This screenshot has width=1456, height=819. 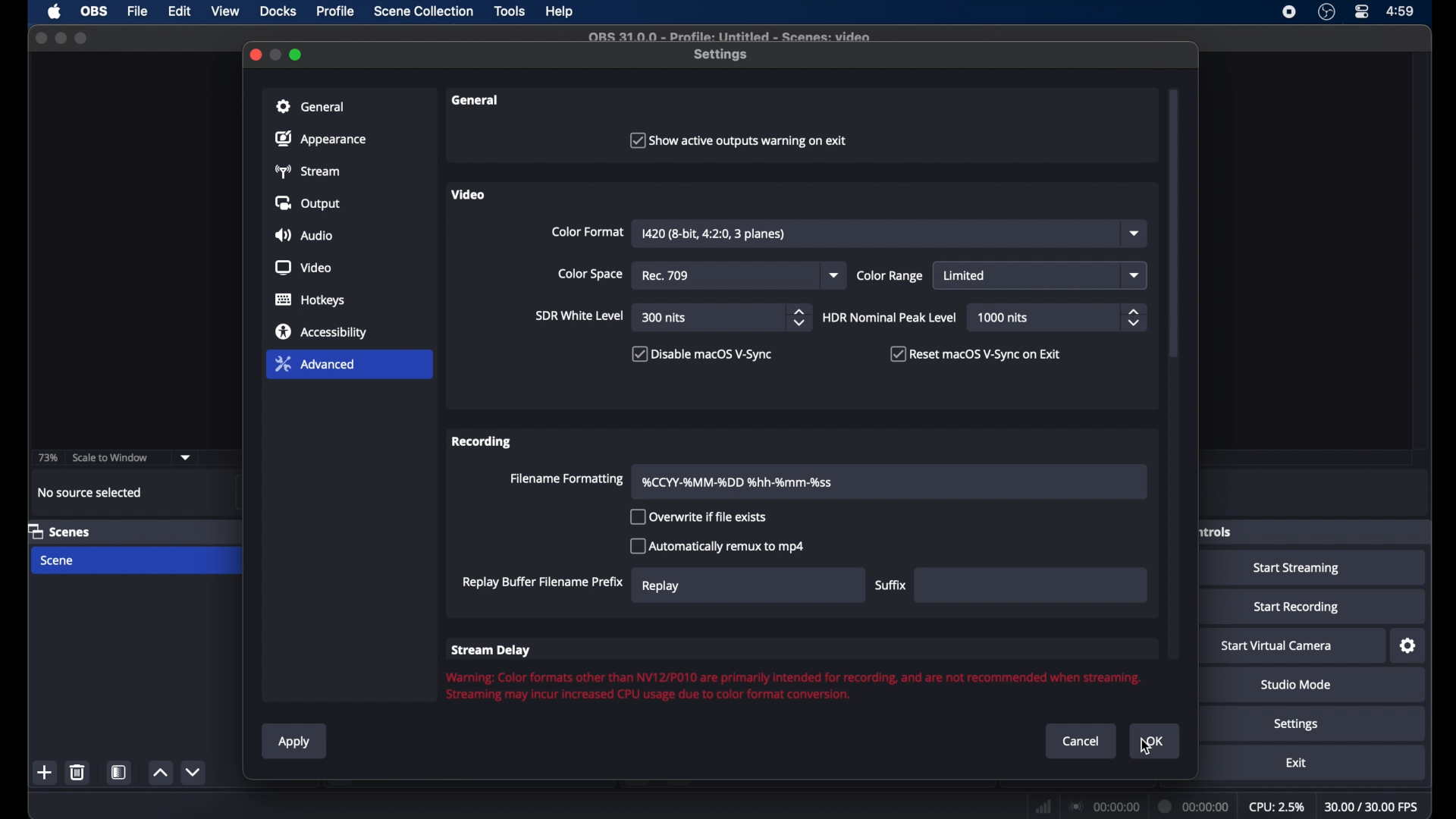 What do you see at coordinates (1003, 318) in the screenshot?
I see `1000 nits` at bounding box center [1003, 318].